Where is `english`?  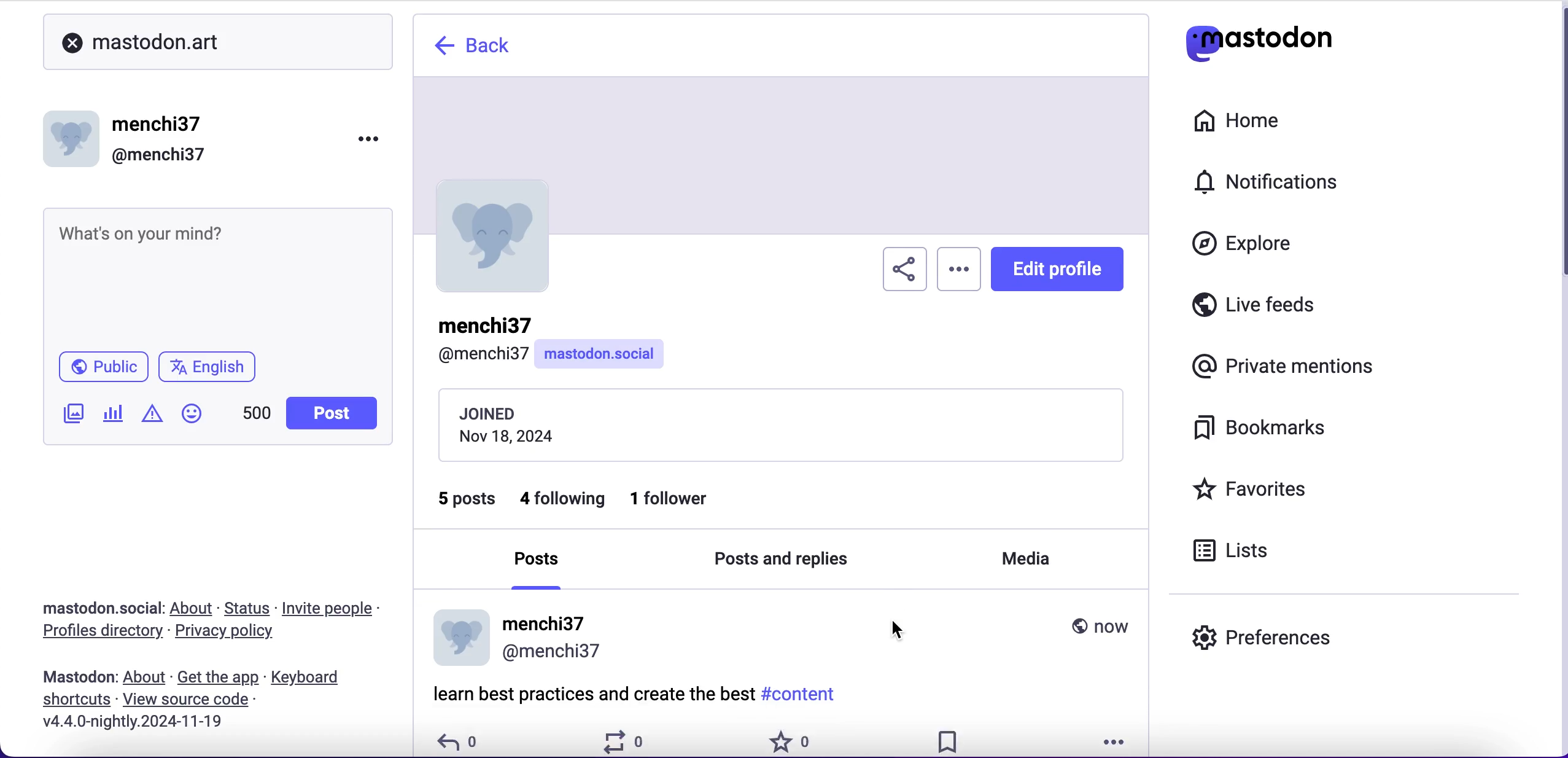
english is located at coordinates (211, 367).